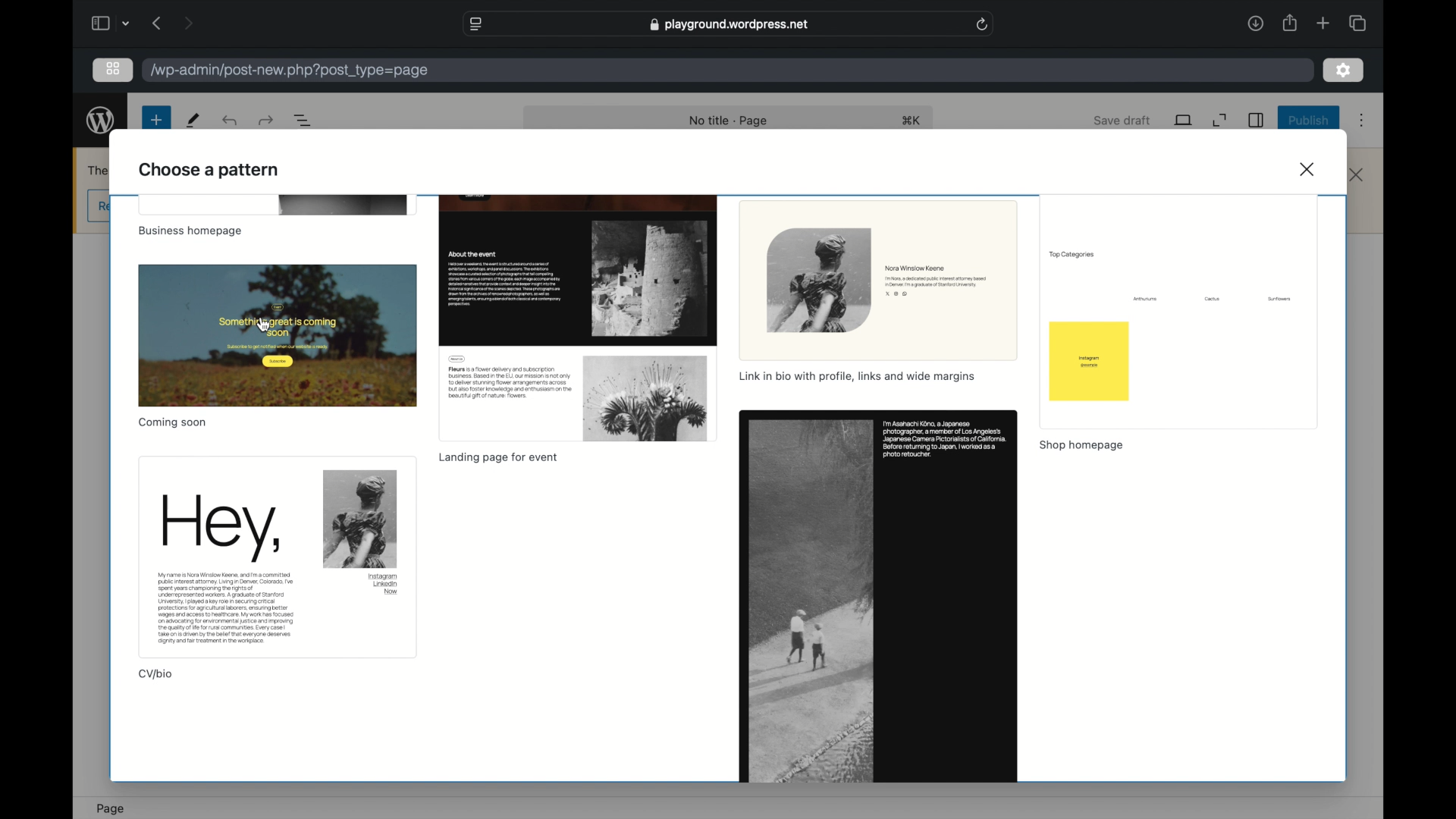 This screenshot has width=1456, height=819. What do you see at coordinates (1288, 23) in the screenshot?
I see `share` at bounding box center [1288, 23].